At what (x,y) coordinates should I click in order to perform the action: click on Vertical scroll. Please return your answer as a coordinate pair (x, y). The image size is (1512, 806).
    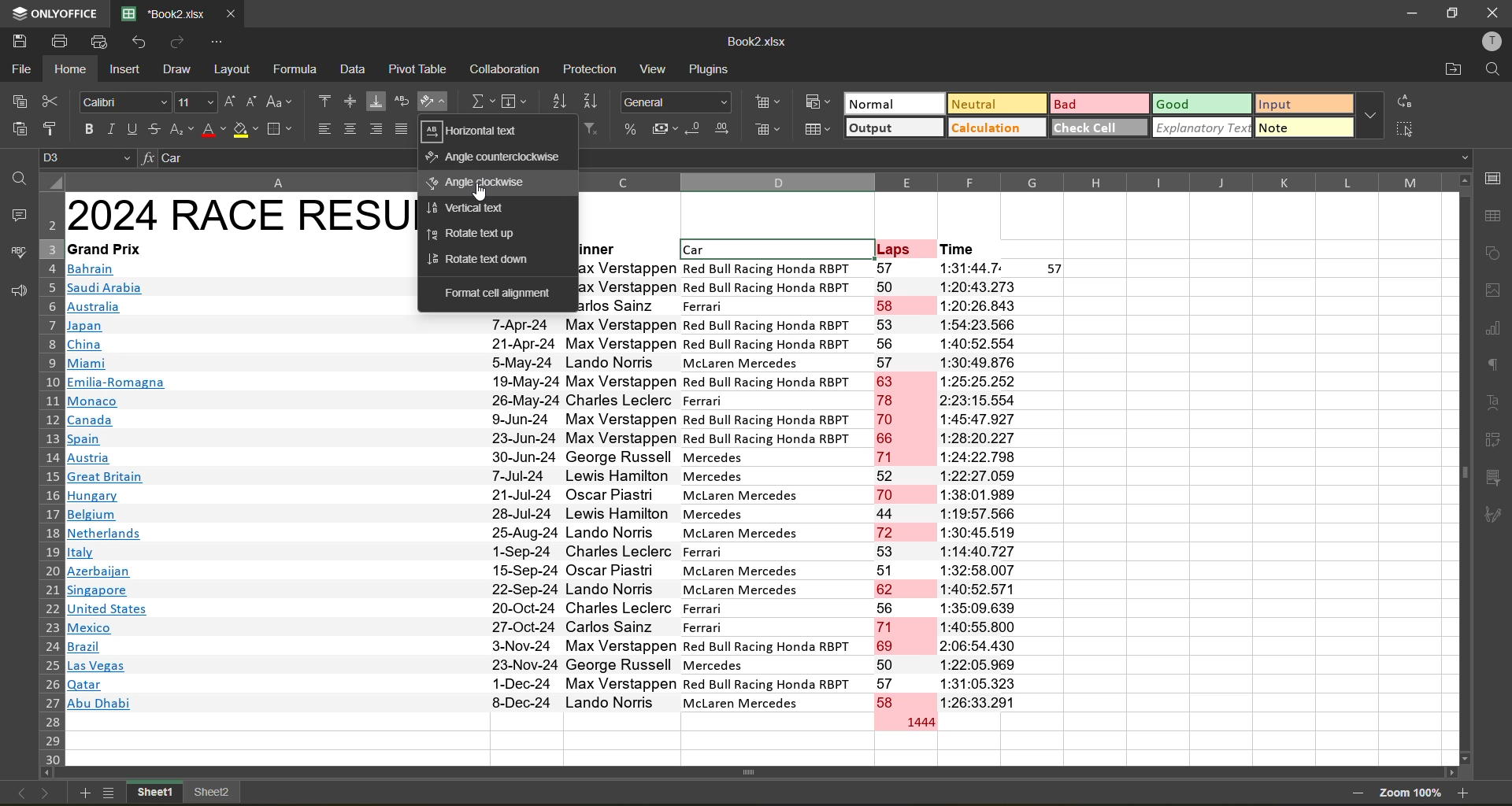
    Looking at the image, I should click on (1462, 473).